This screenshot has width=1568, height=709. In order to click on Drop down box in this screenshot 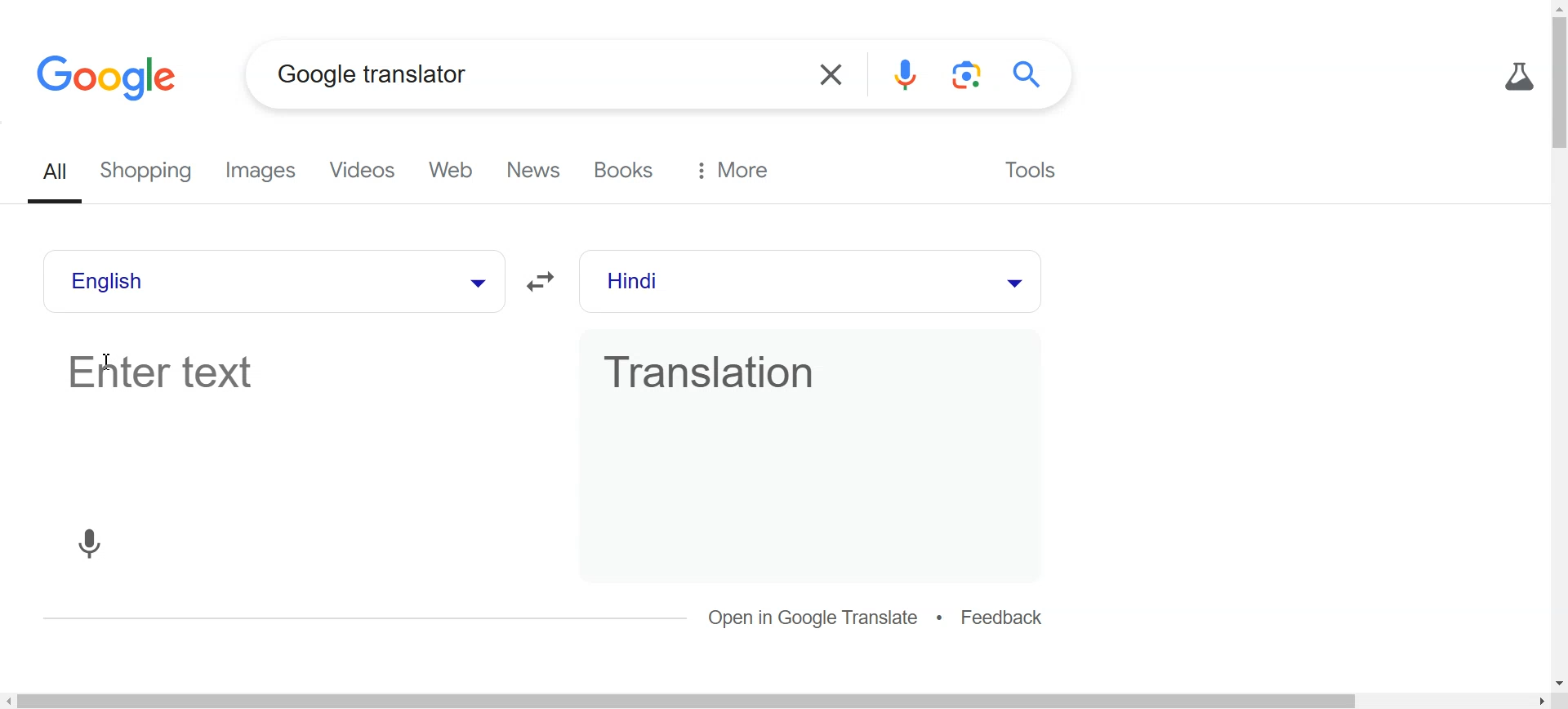, I will do `click(474, 281)`.